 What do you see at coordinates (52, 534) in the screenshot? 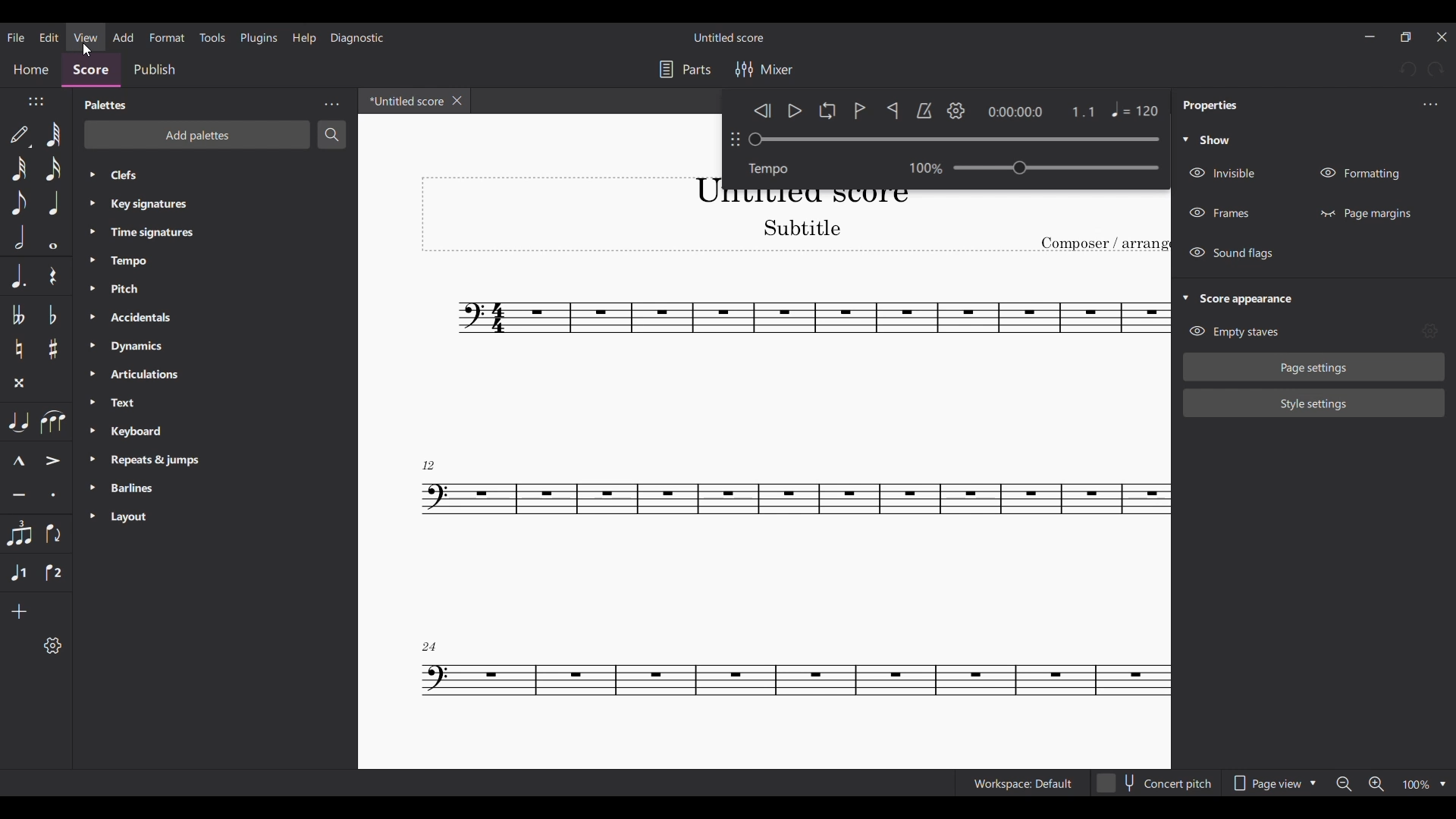
I see `Flip direction` at bounding box center [52, 534].